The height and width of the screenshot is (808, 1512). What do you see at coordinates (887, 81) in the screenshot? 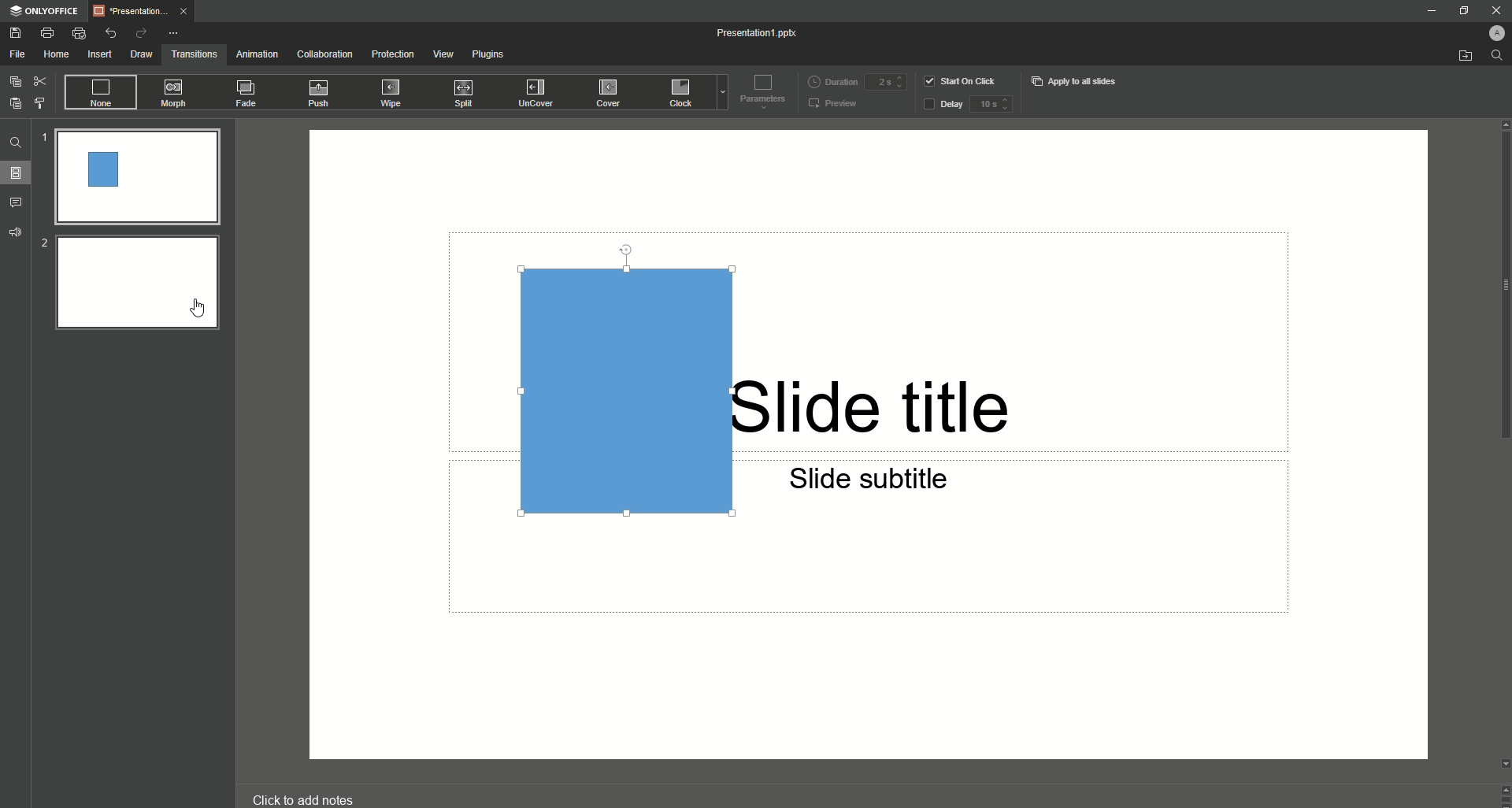
I see `Duration input` at bounding box center [887, 81].